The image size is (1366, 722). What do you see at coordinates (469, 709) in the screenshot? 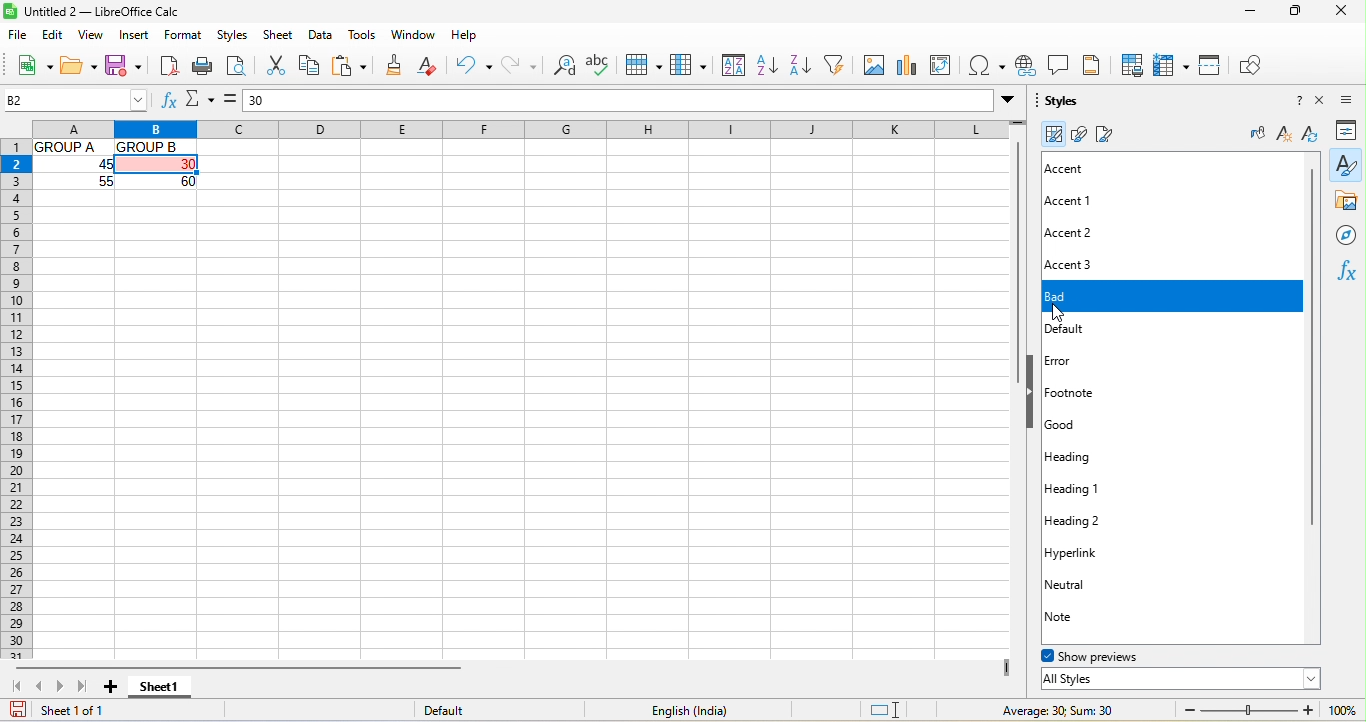
I see `default` at bounding box center [469, 709].